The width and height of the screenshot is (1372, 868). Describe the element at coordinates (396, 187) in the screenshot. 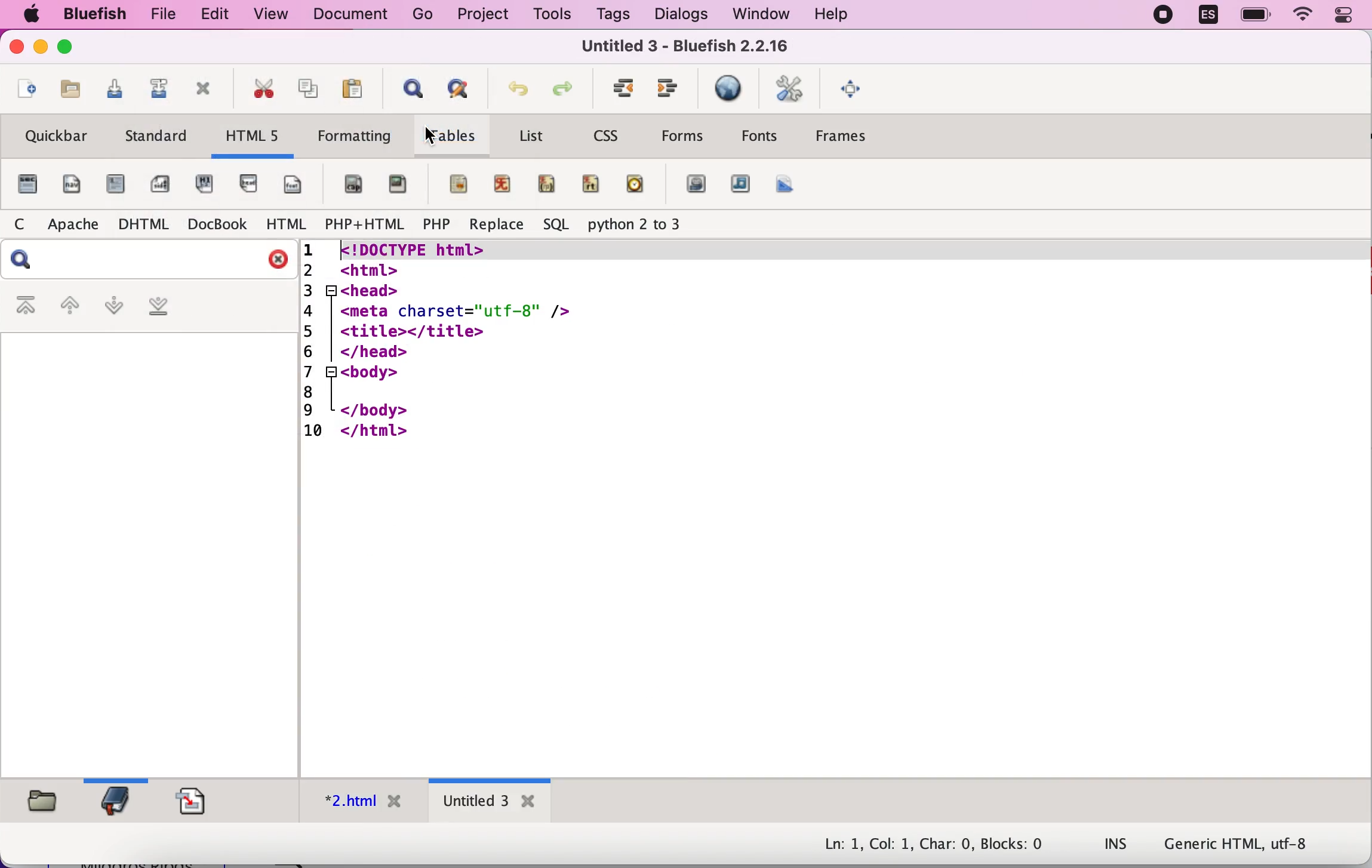

I see `figure` at that location.